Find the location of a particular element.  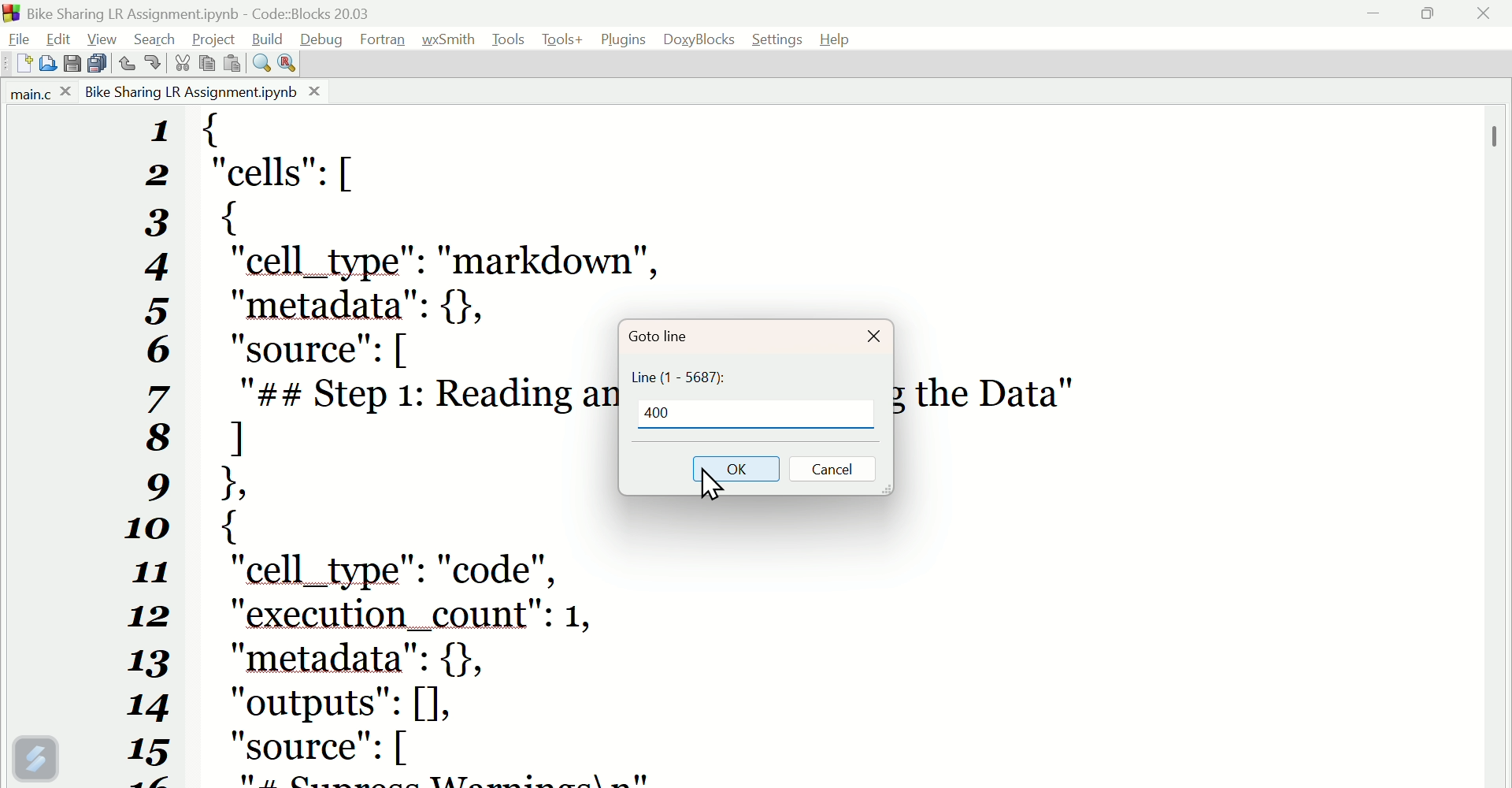

Redo is located at coordinates (150, 65).